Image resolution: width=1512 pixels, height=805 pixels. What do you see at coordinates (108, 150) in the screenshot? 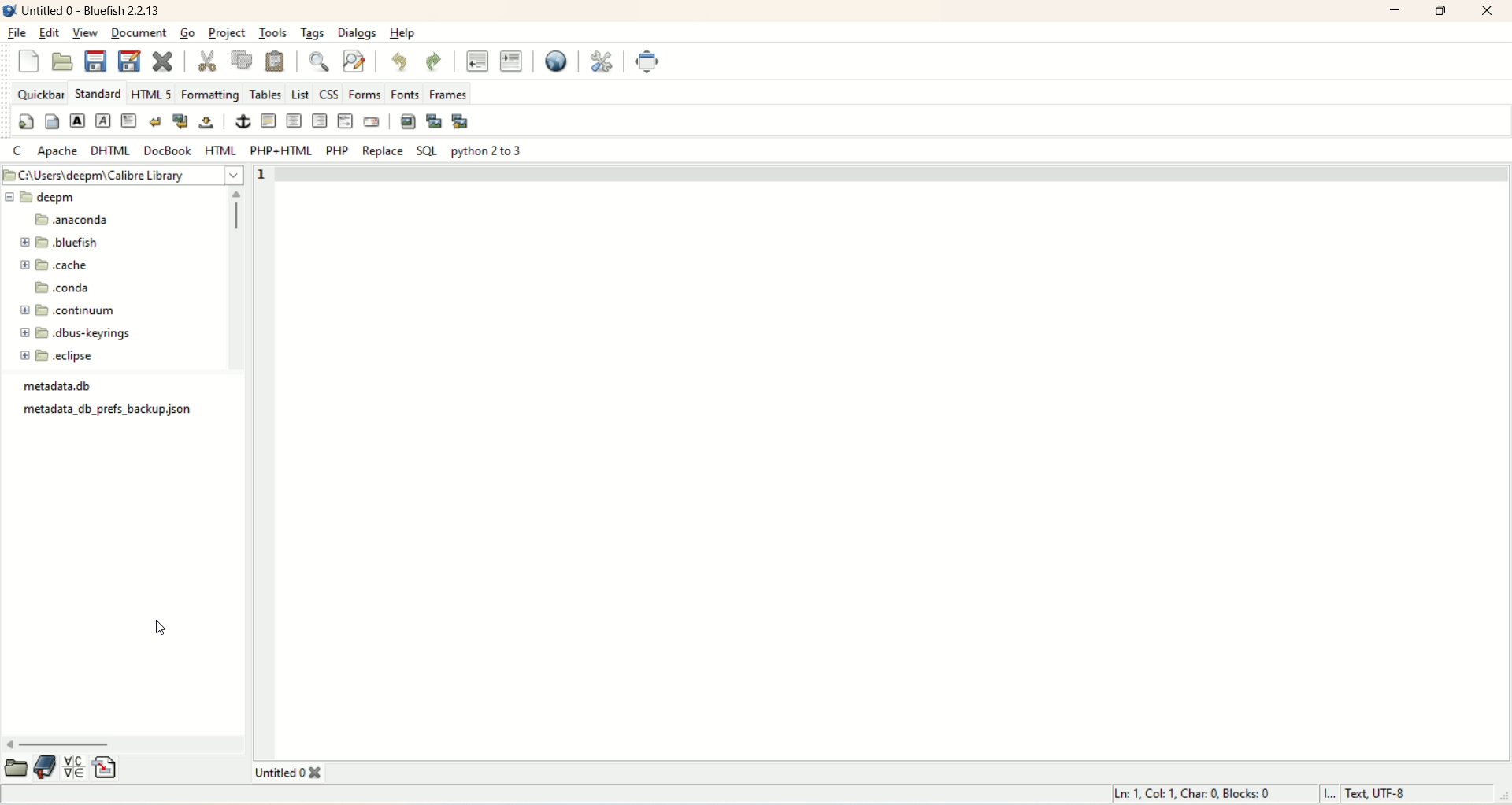
I see `DHTML` at bounding box center [108, 150].